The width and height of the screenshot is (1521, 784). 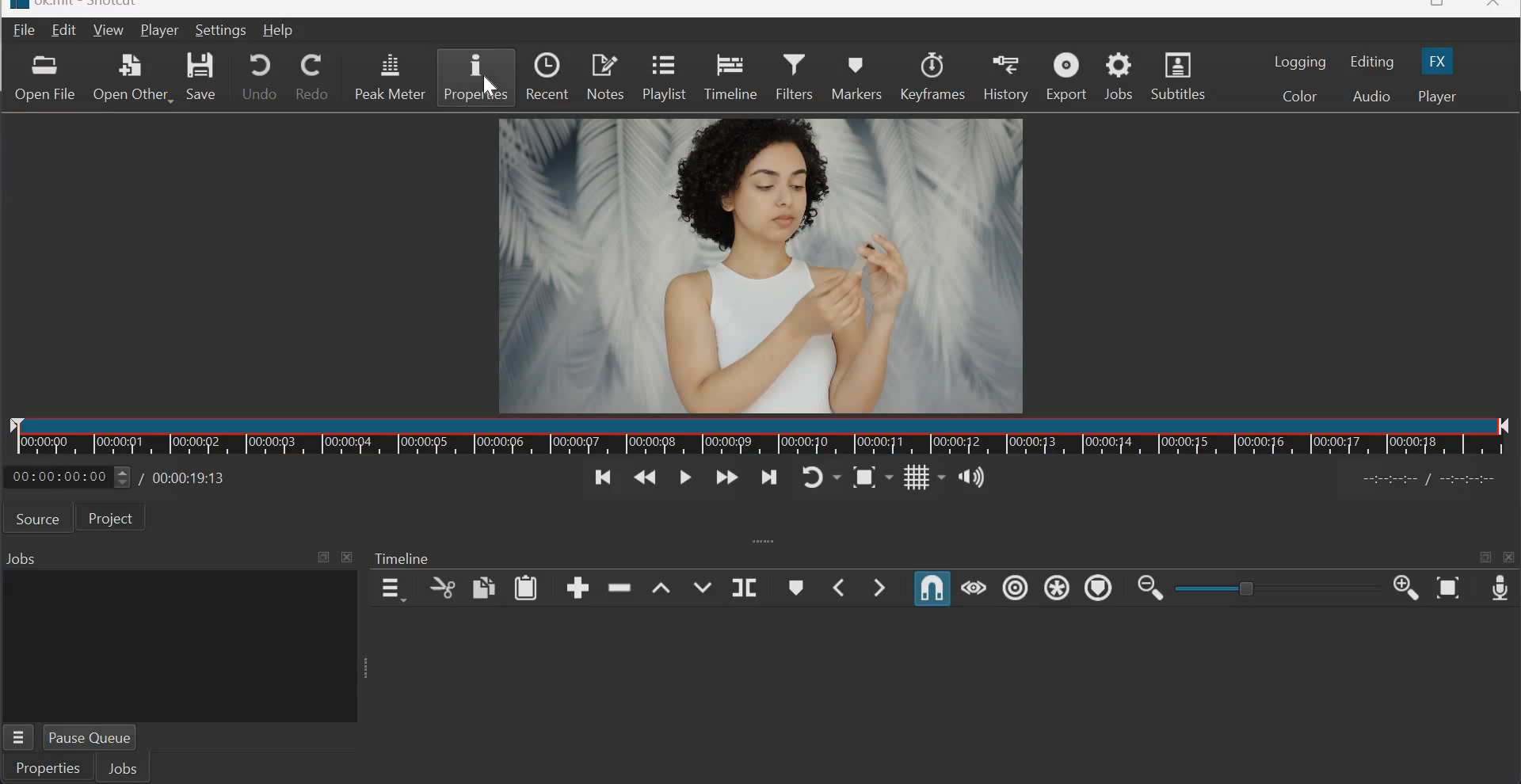 I want to click on Save, so click(x=204, y=76).